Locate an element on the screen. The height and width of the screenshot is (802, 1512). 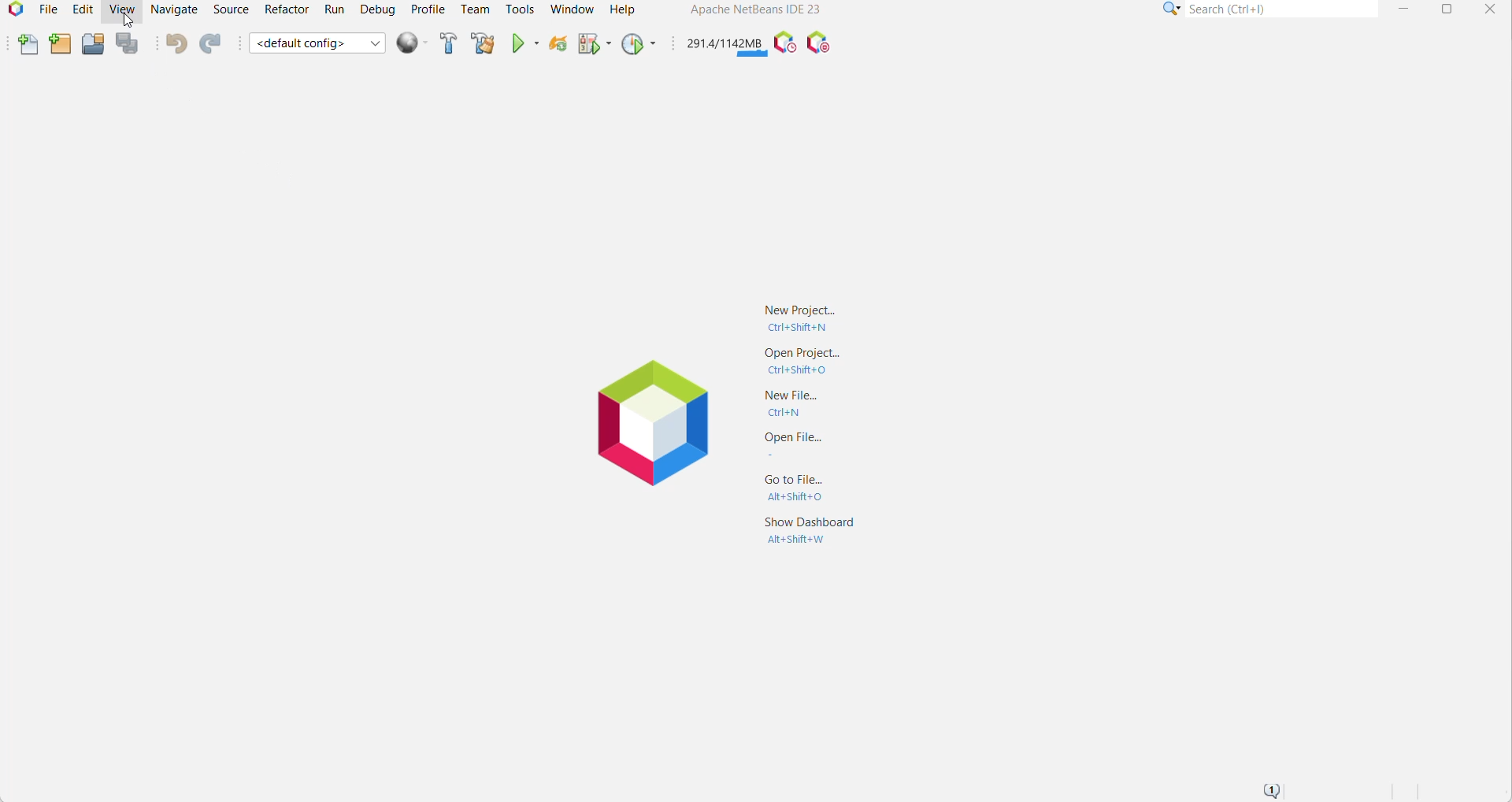
Redo is located at coordinates (213, 43).